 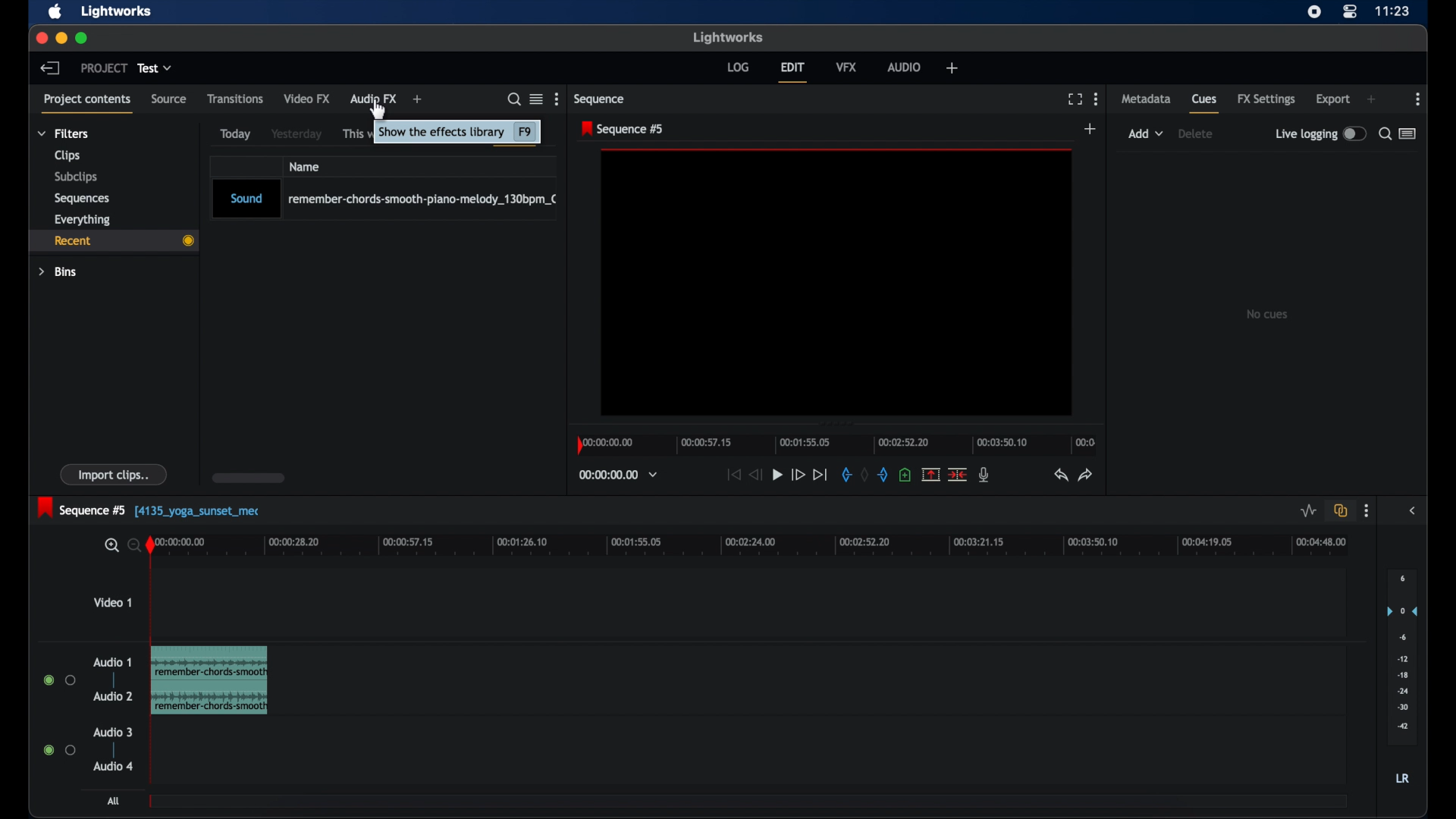 I want to click on timeline scale, so click(x=763, y=548).